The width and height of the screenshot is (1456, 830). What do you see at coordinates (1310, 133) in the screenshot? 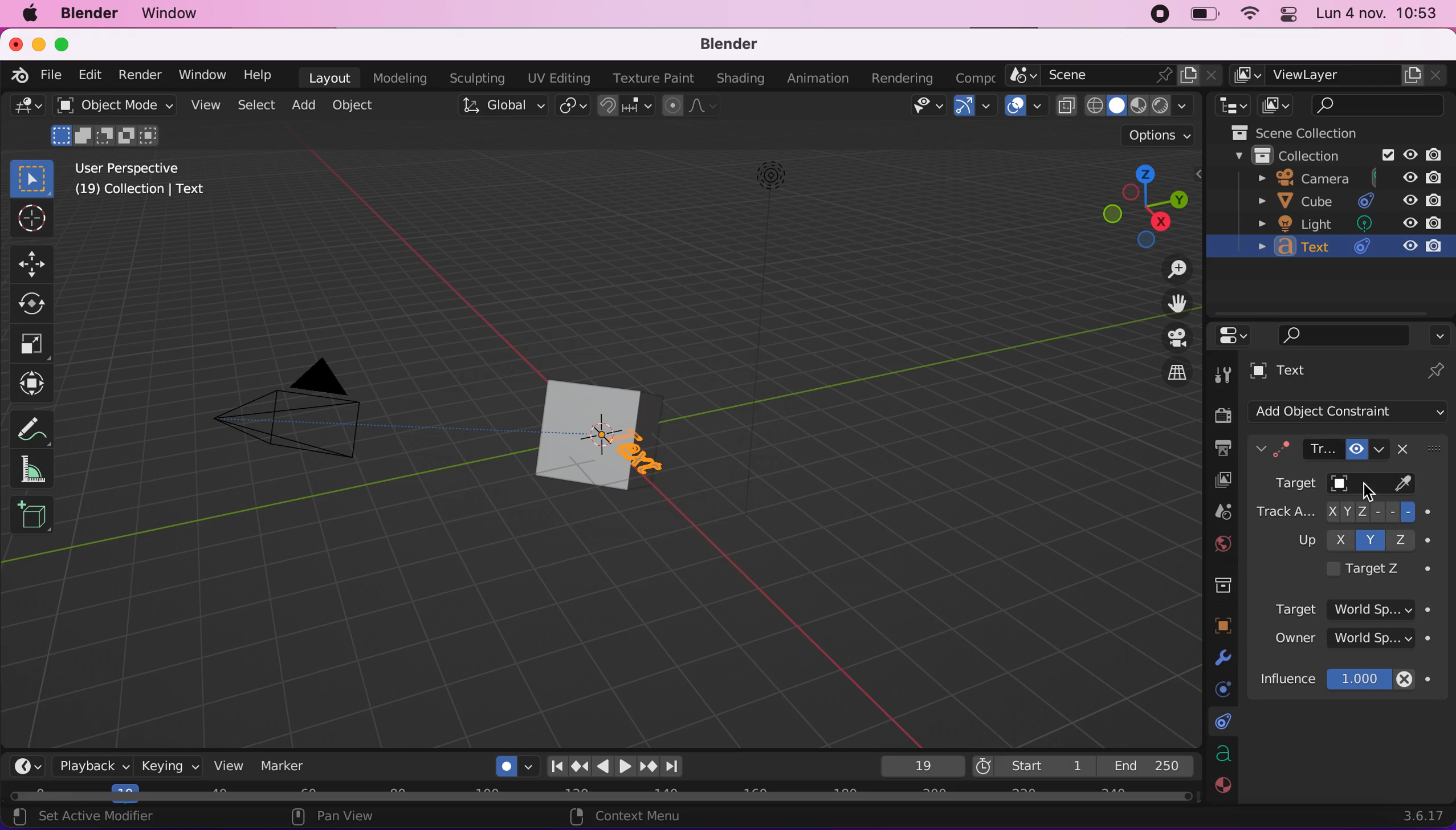
I see `scene collection` at bounding box center [1310, 133].